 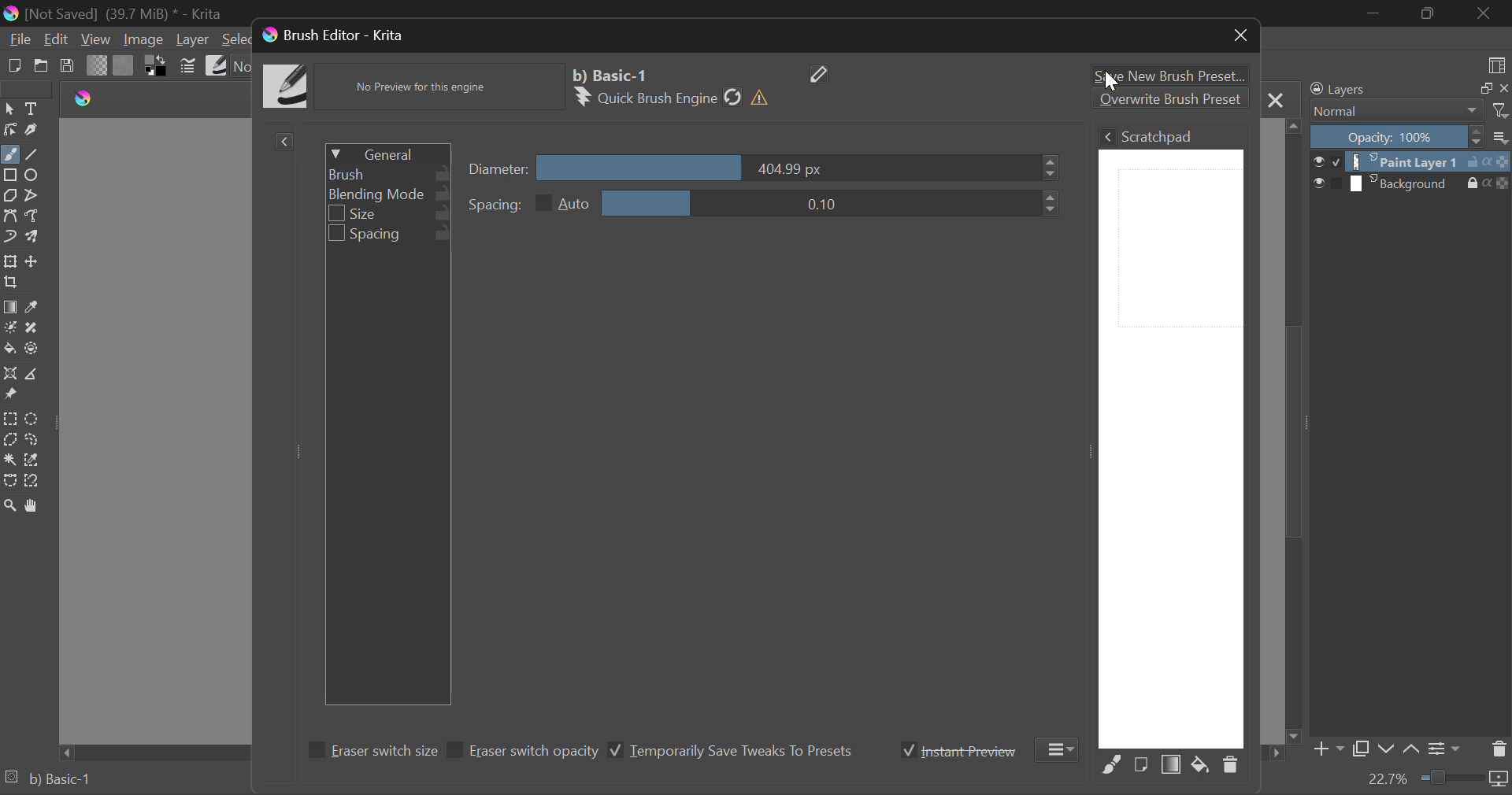 What do you see at coordinates (193, 41) in the screenshot?
I see `Layer` at bounding box center [193, 41].